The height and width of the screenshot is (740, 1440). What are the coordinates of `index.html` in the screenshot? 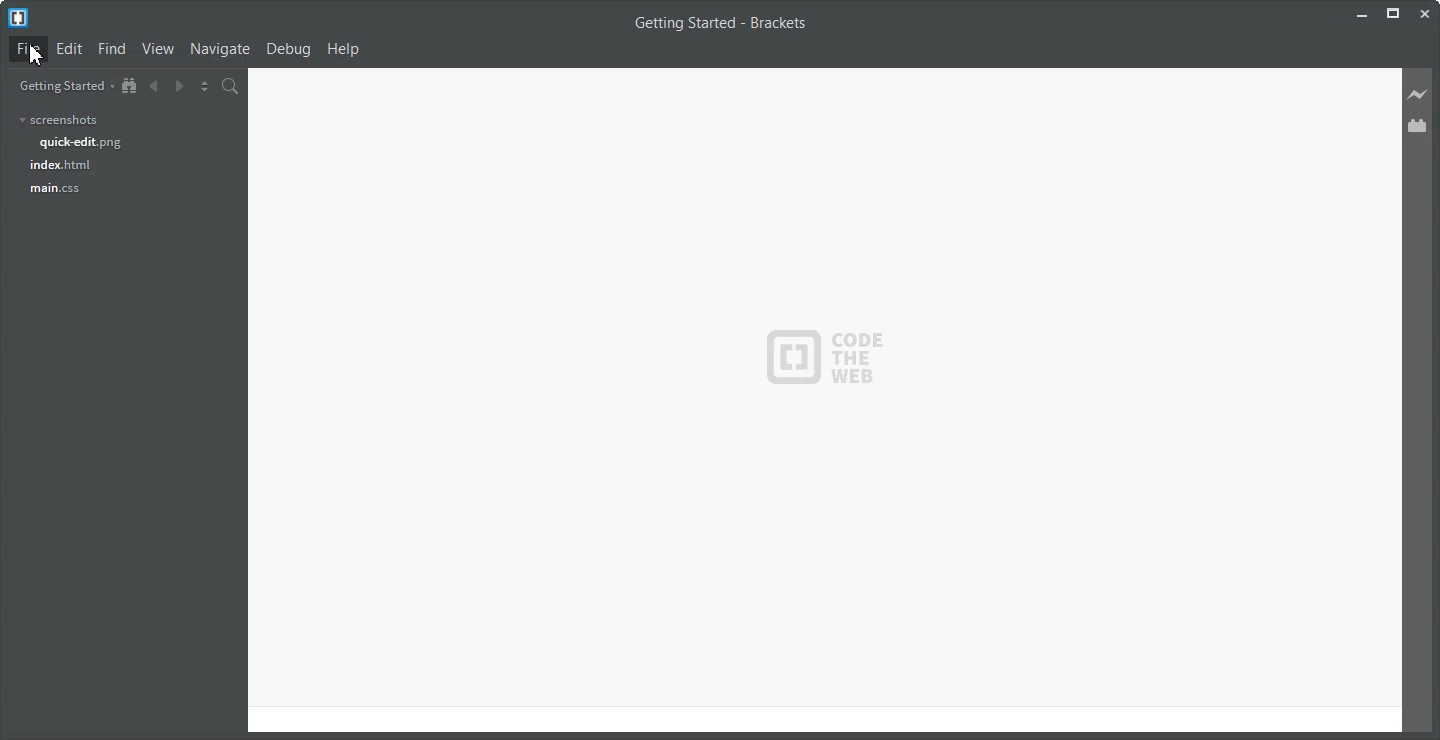 It's located at (59, 165).